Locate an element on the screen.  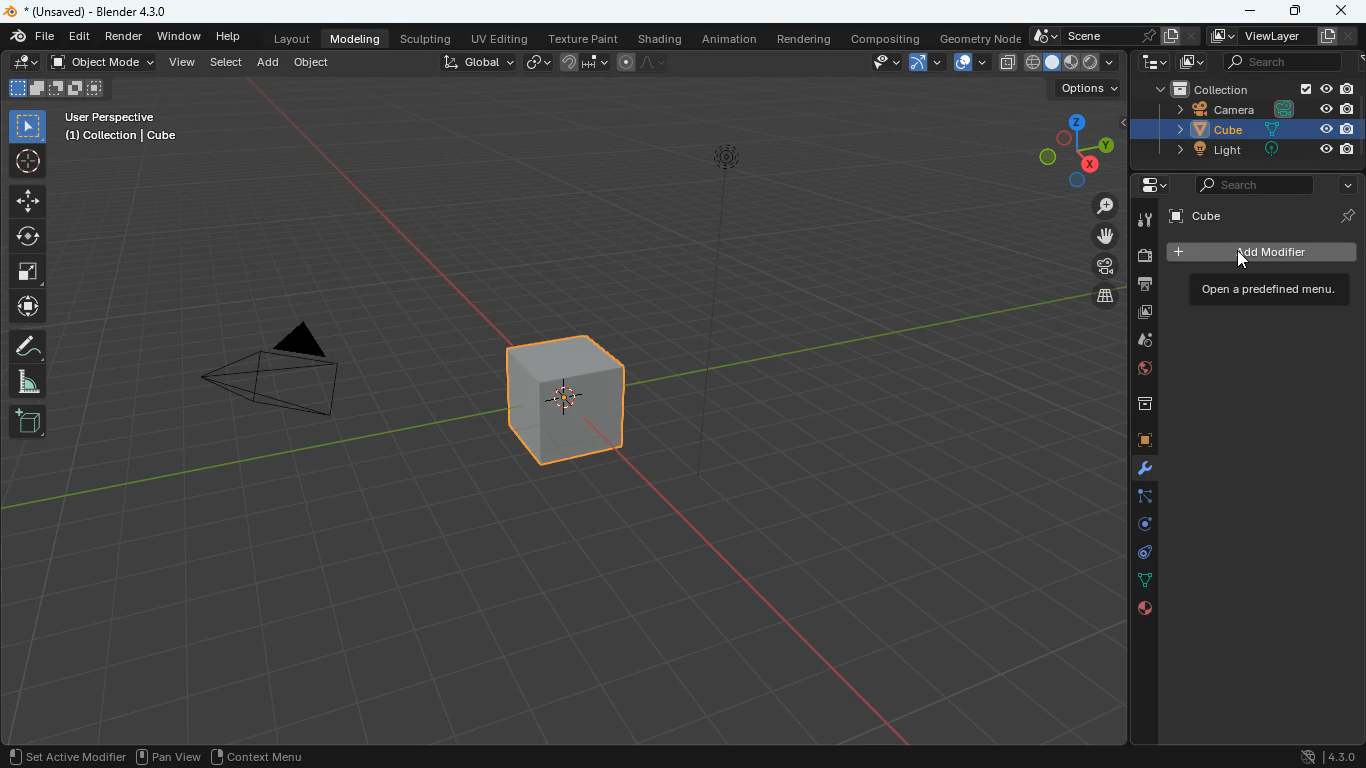
zoom is located at coordinates (1101, 207).